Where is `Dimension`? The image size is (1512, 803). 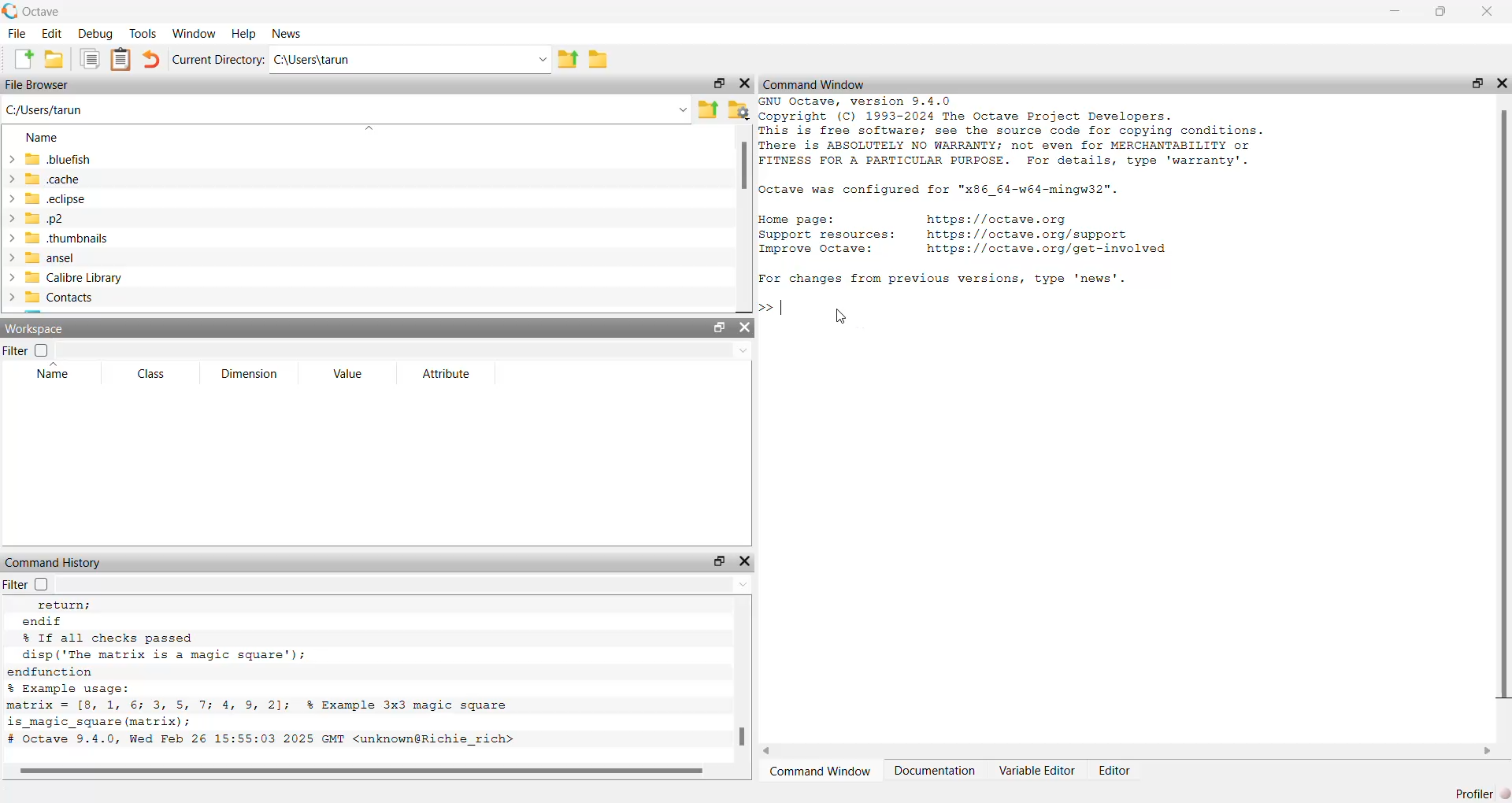 Dimension is located at coordinates (248, 375).